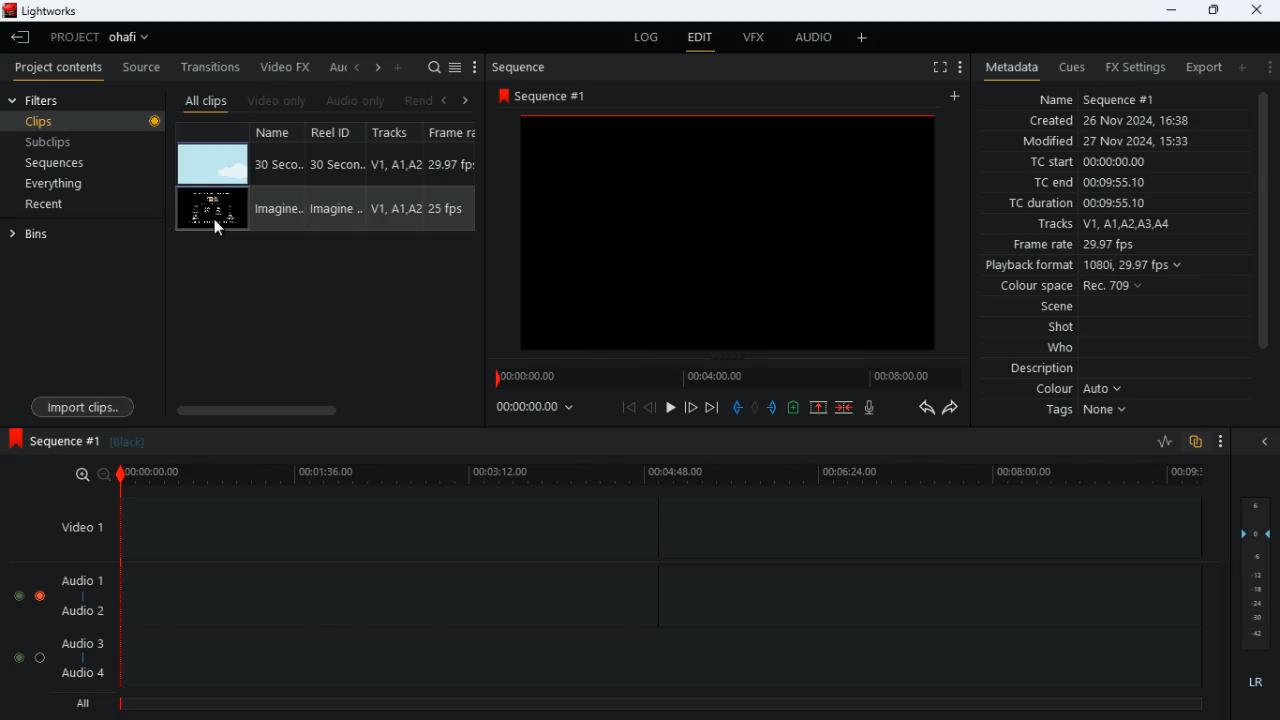  I want to click on fps, so click(454, 134).